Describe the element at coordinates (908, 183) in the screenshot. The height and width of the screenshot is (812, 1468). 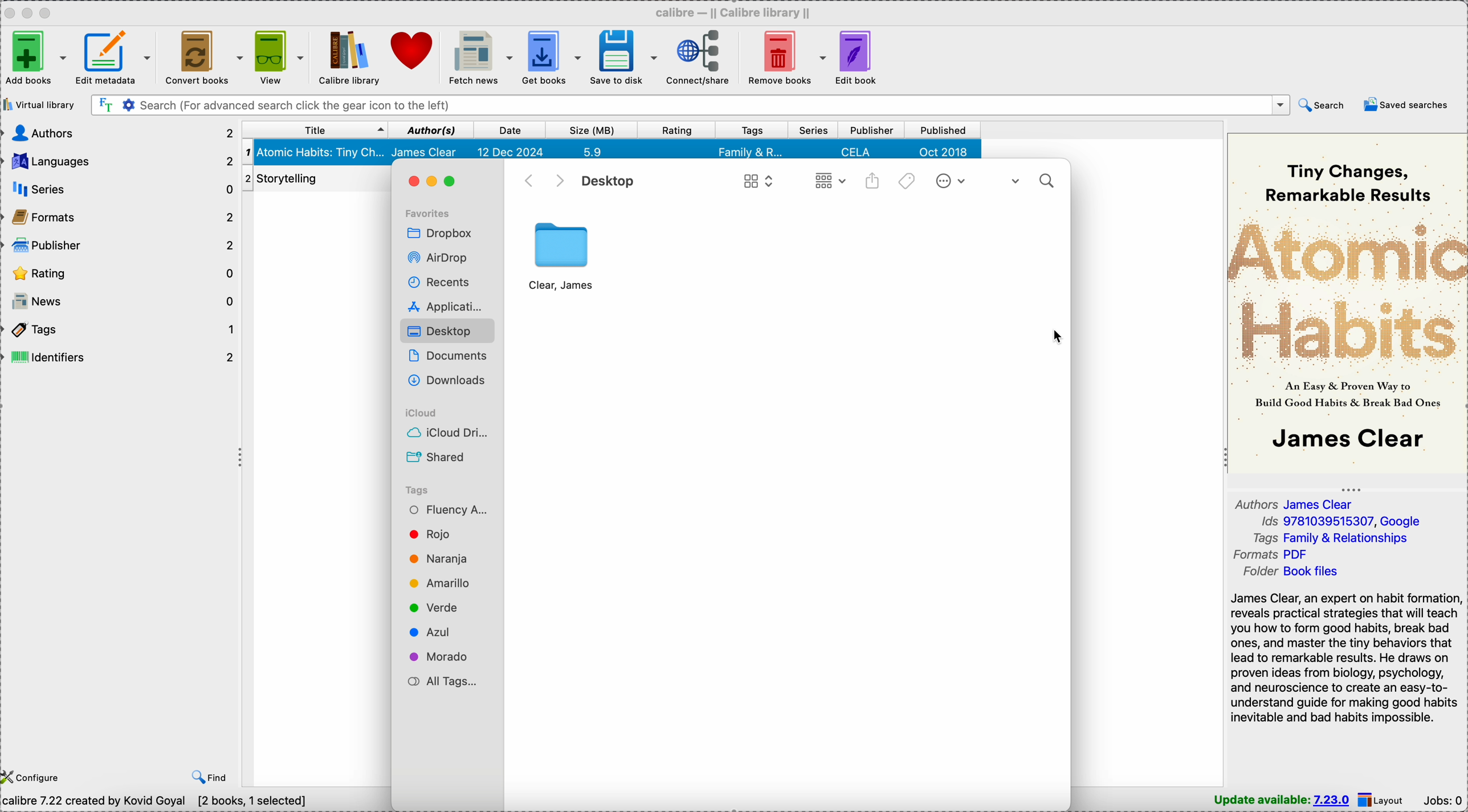
I see `tags` at that location.